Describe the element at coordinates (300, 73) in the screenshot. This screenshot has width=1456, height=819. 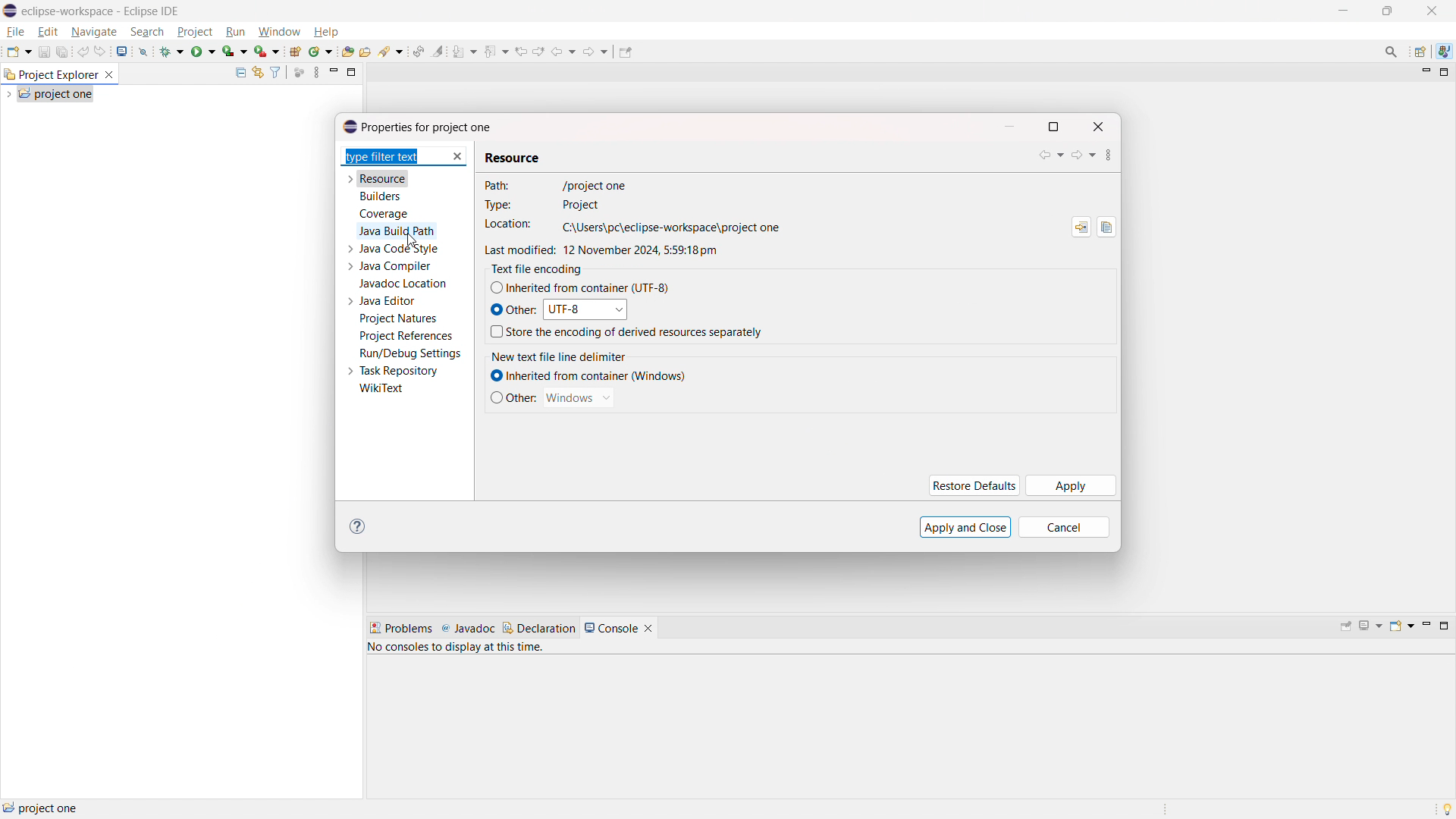
I see `focus on active task ` at that location.